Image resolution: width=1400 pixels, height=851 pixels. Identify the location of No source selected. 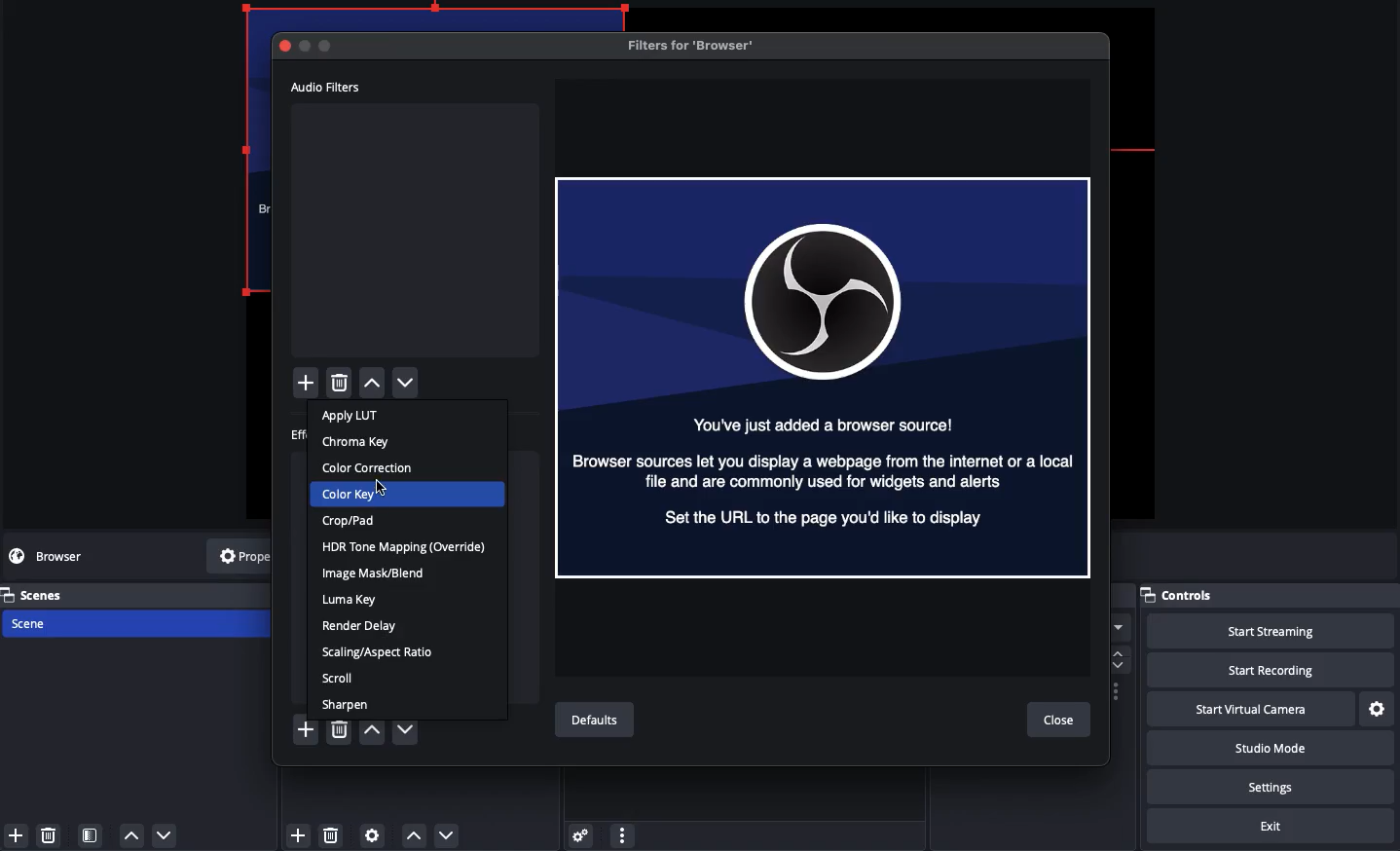
(63, 556).